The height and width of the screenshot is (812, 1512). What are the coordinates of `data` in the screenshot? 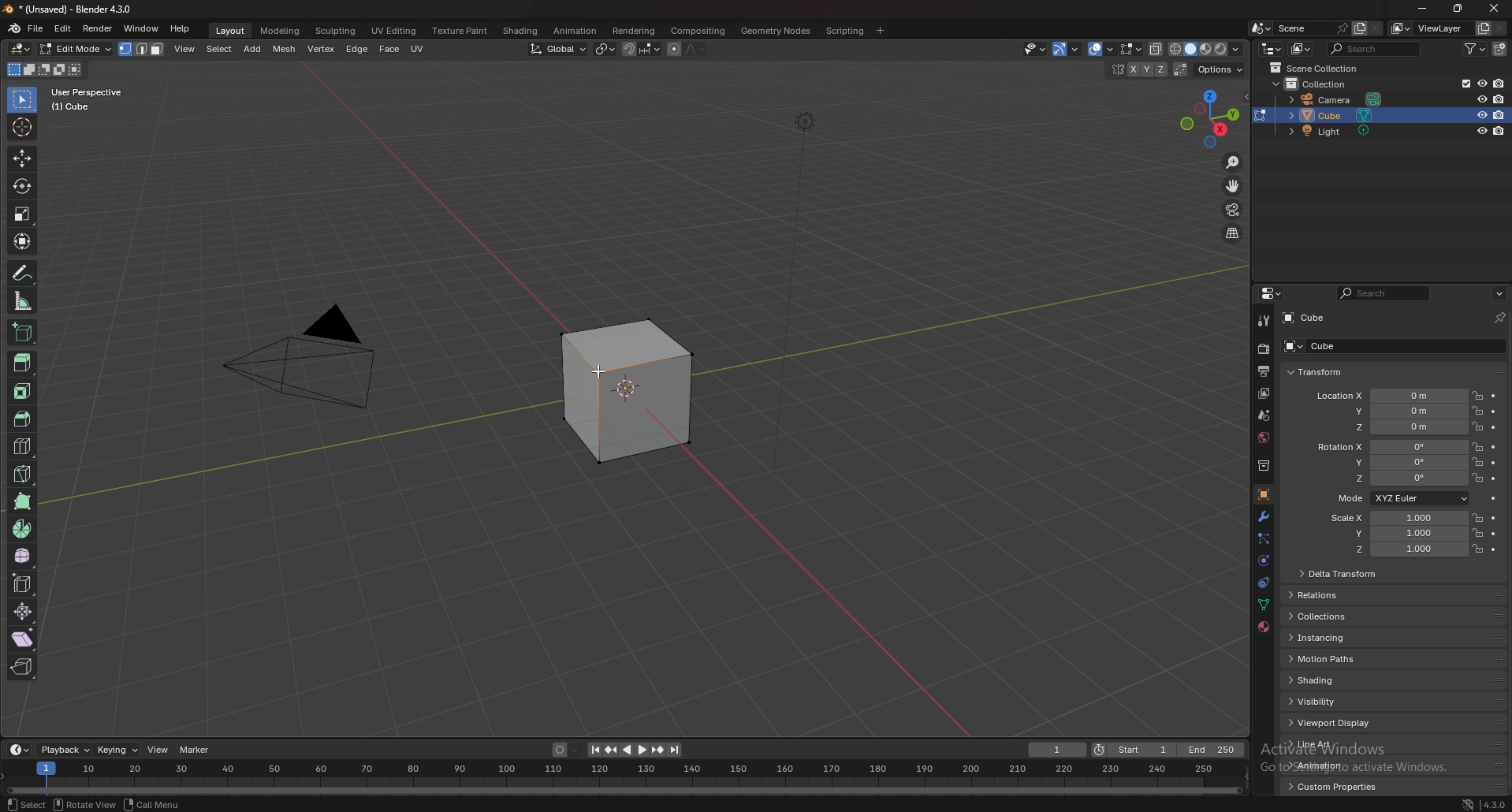 It's located at (1263, 605).